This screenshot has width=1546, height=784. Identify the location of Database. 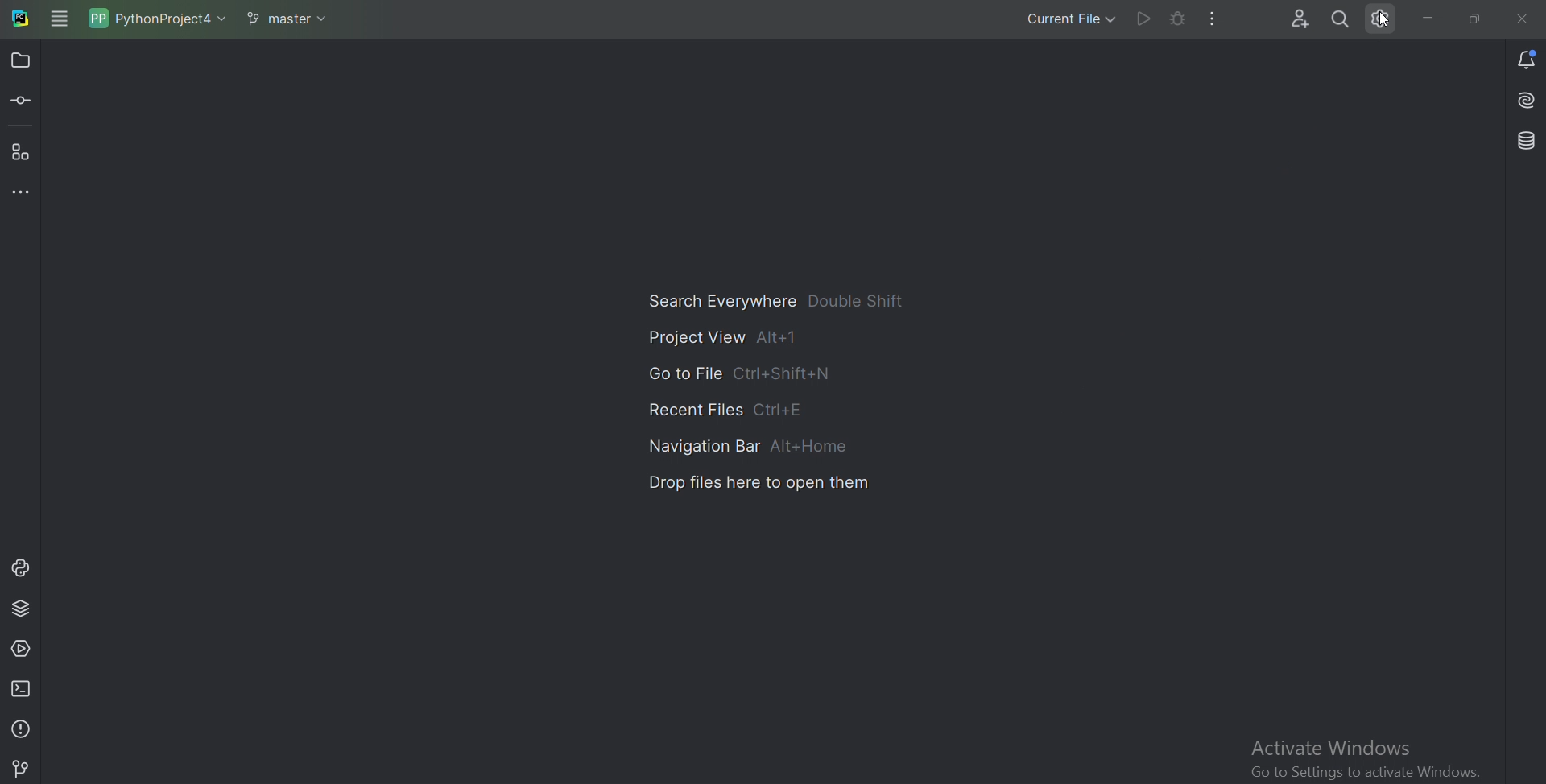
(1527, 138).